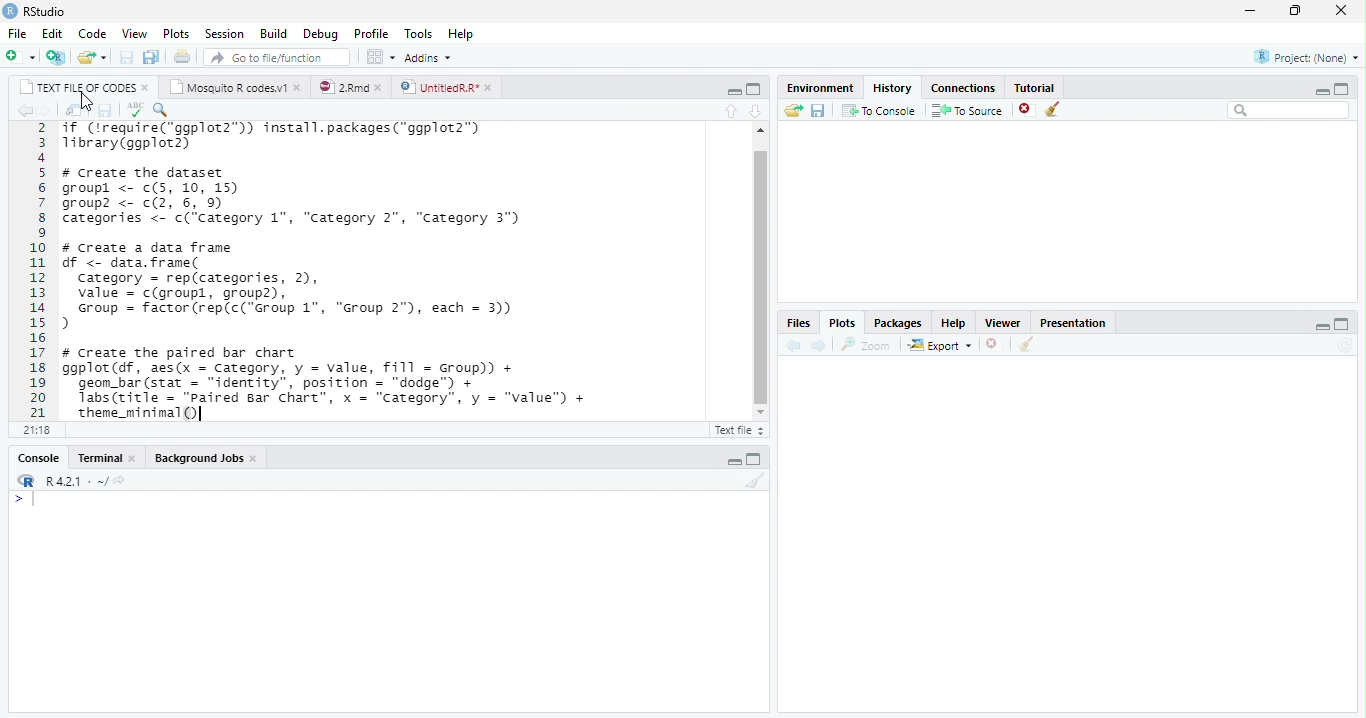 The height and width of the screenshot is (718, 1366). Describe the element at coordinates (799, 323) in the screenshot. I see `files` at that location.